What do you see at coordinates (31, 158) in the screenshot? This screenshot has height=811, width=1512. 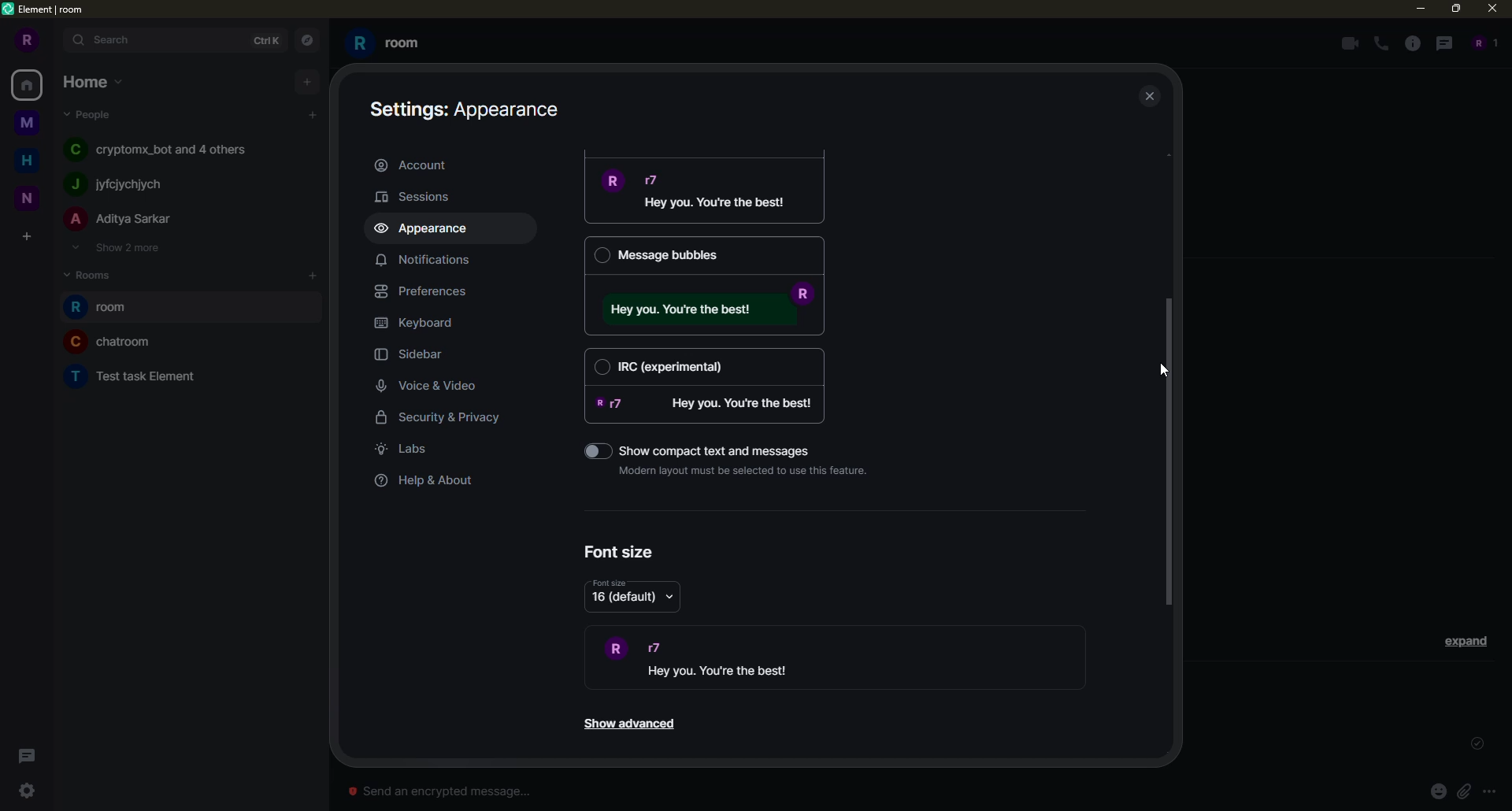 I see `home` at bounding box center [31, 158].